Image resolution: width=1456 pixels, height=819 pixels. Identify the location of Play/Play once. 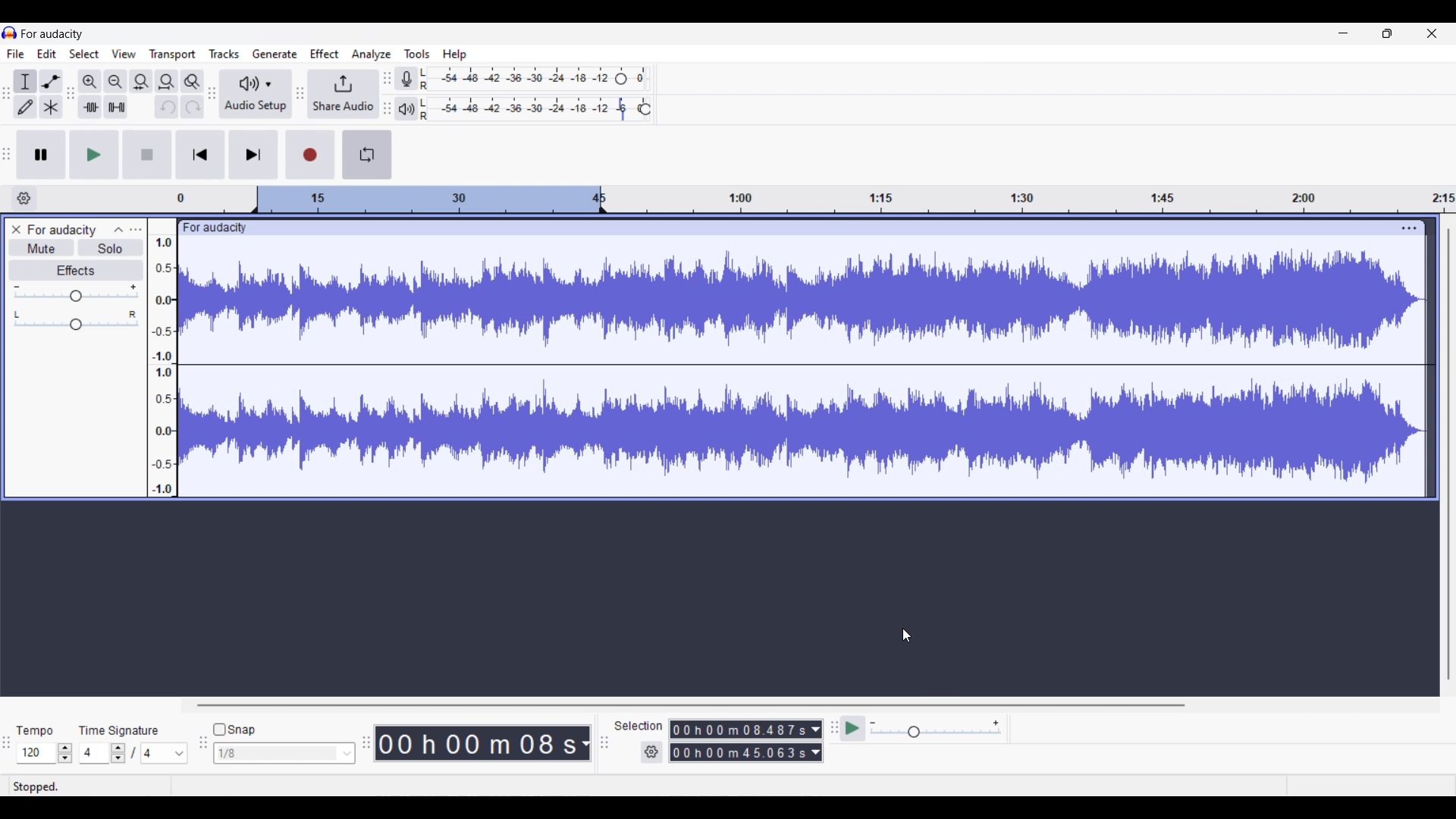
(95, 155).